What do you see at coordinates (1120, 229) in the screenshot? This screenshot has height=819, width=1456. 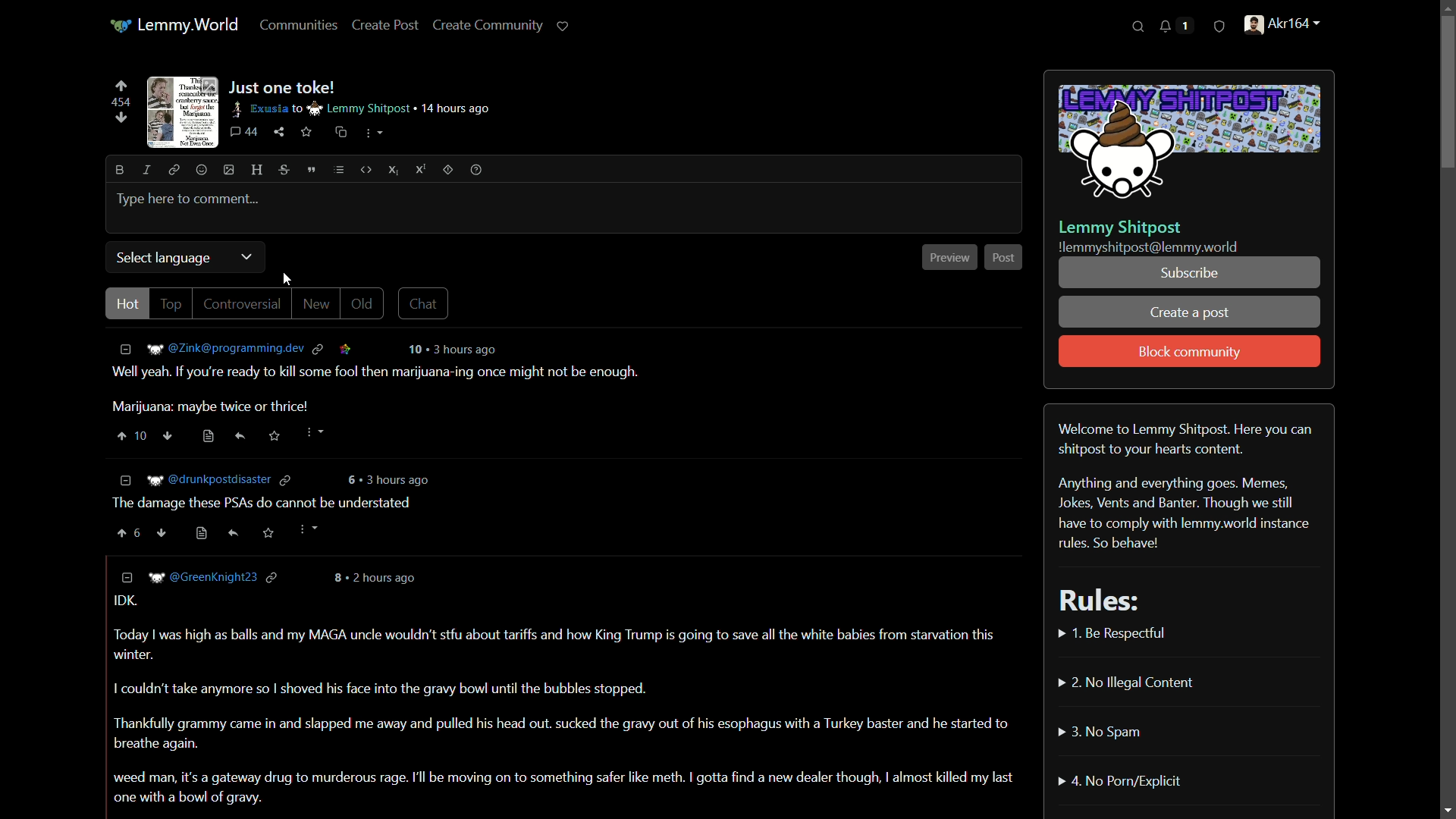 I see `Lemmy Shitpost` at bounding box center [1120, 229].